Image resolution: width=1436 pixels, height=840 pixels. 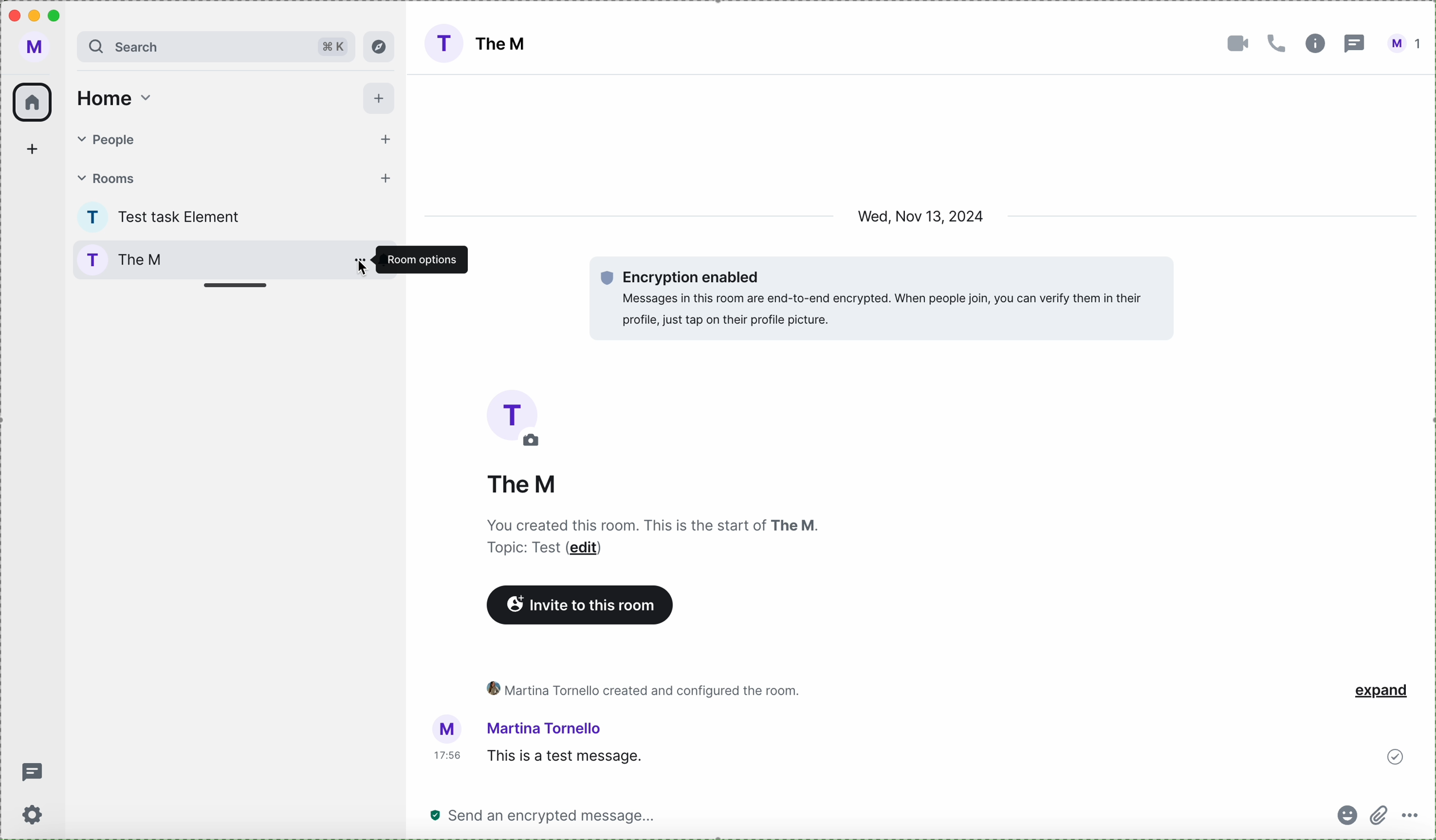 What do you see at coordinates (32, 148) in the screenshot?
I see `add` at bounding box center [32, 148].